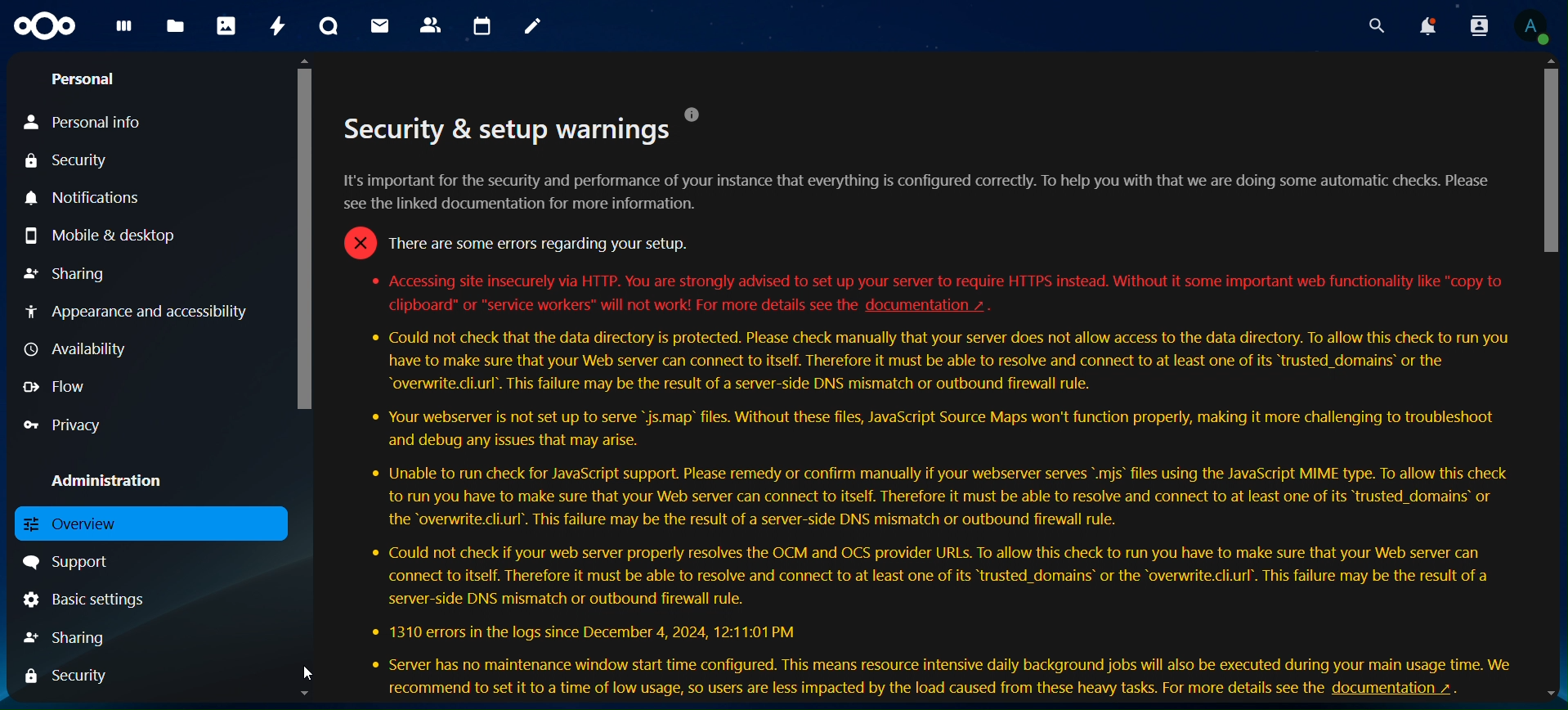 Image resolution: width=1568 pixels, height=710 pixels. I want to click on administration, so click(114, 481).